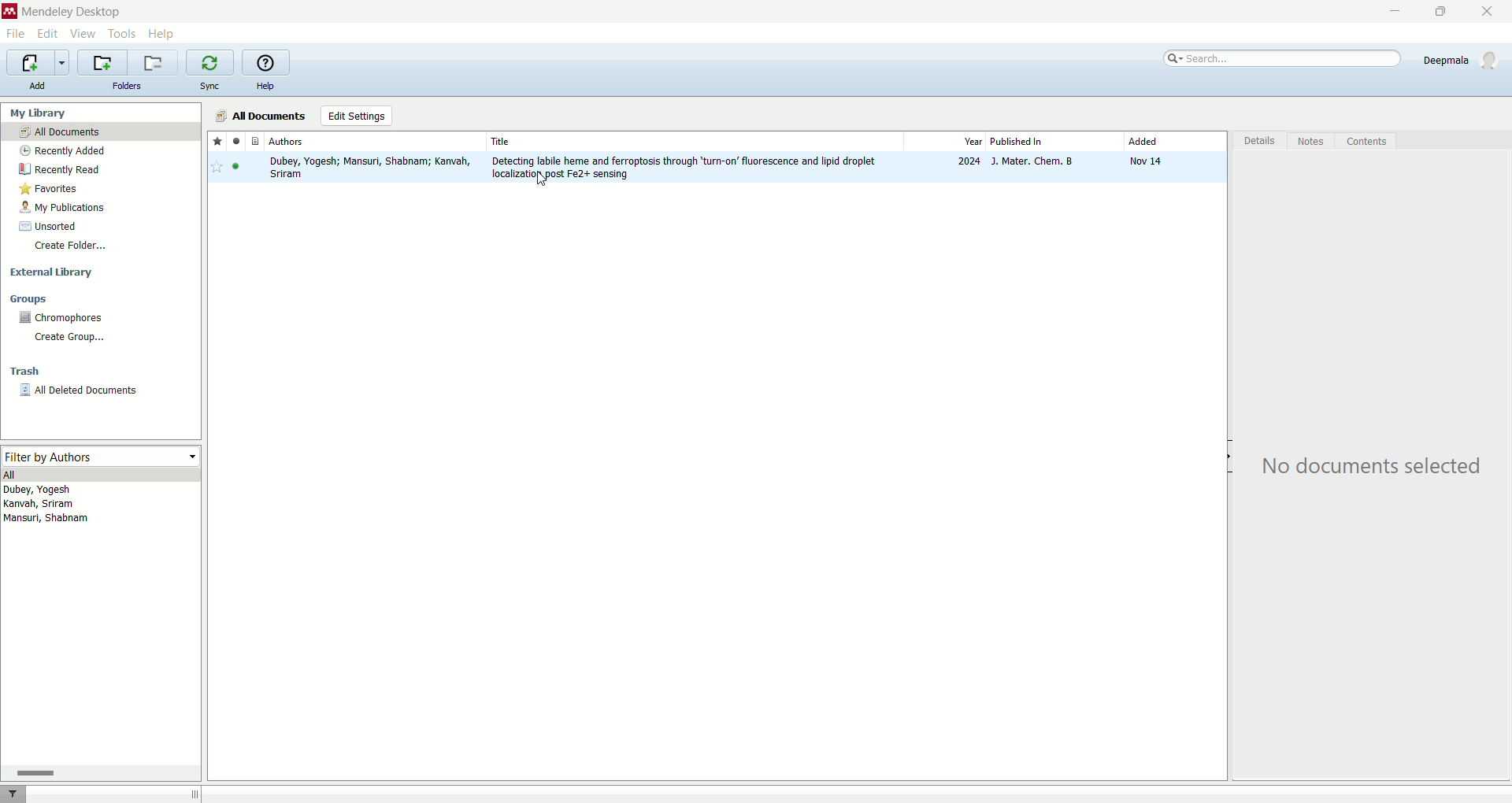  Describe the element at coordinates (253, 142) in the screenshot. I see `documents` at that location.